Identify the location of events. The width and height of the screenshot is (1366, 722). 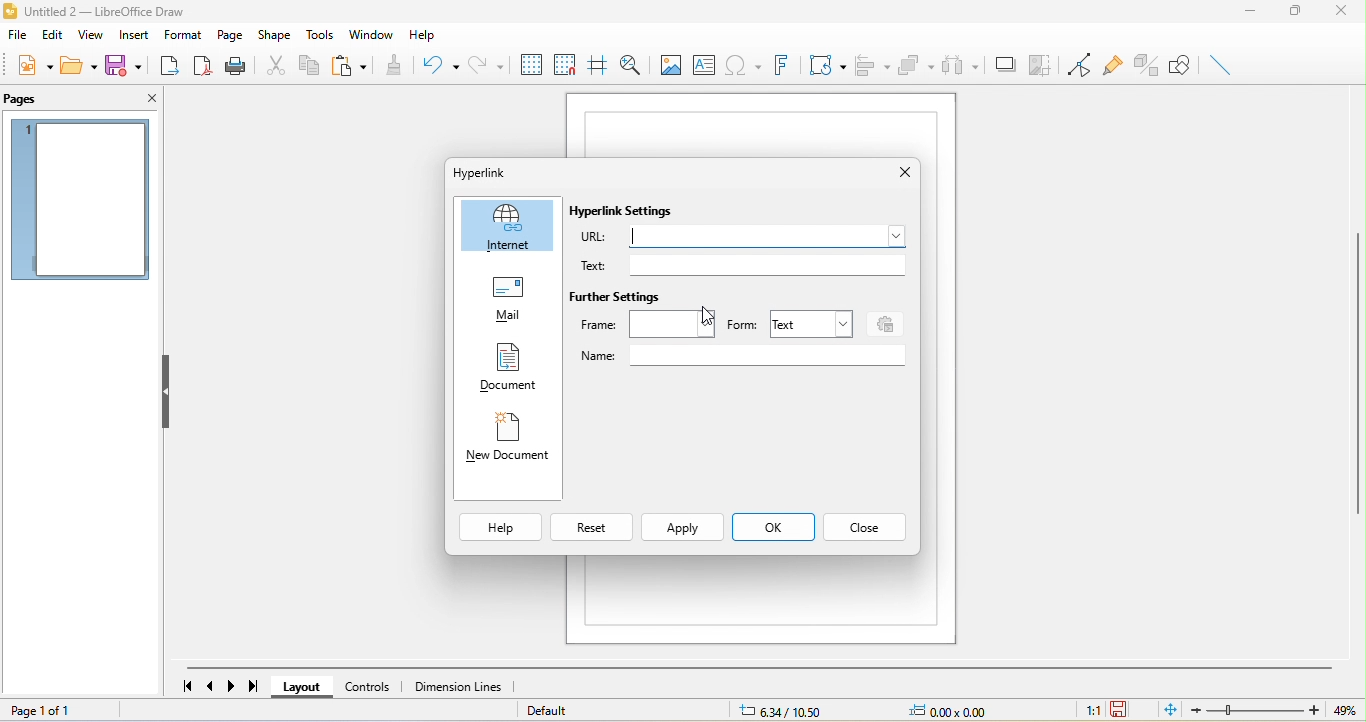
(887, 324).